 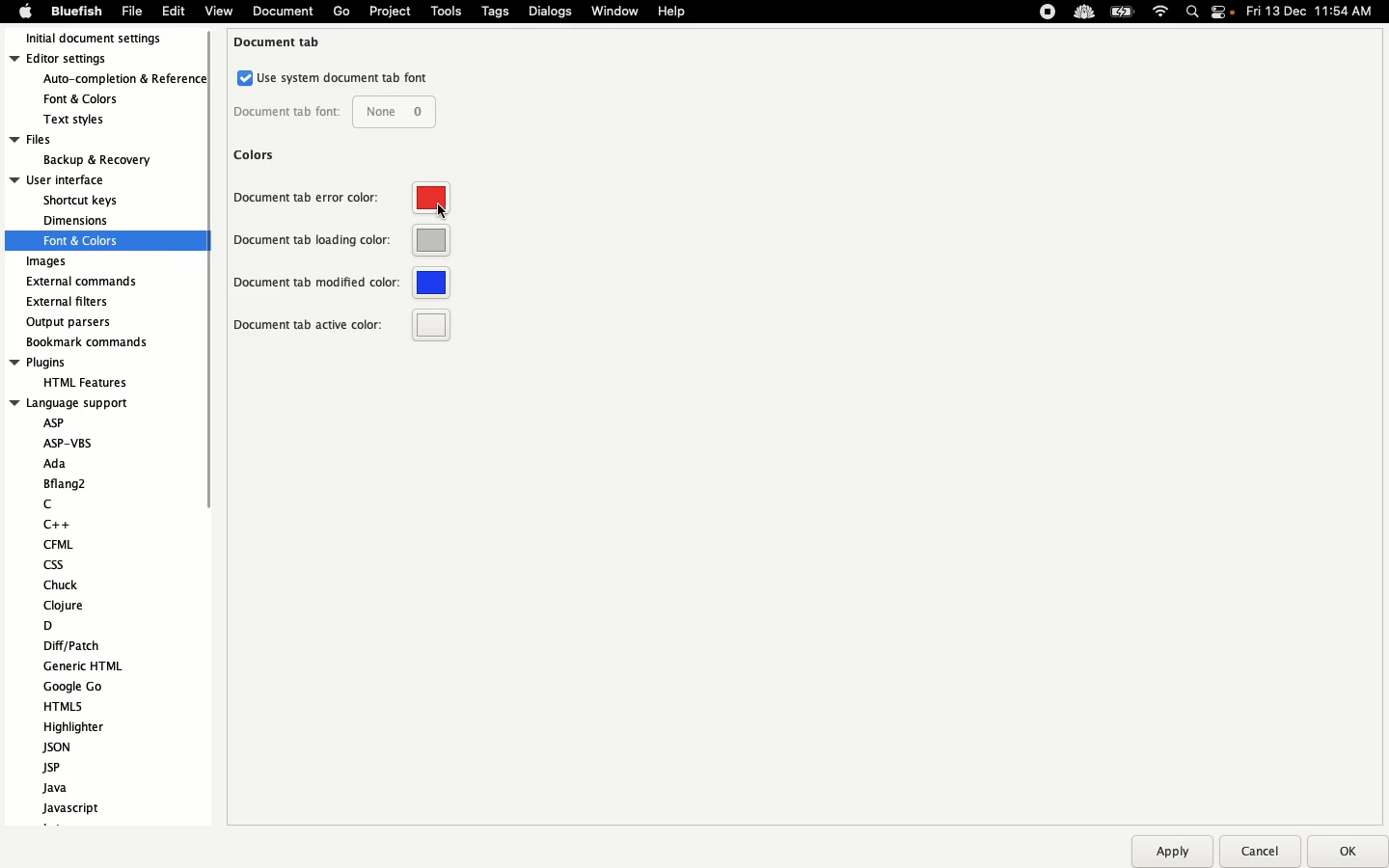 I want to click on Apply, so click(x=1171, y=852).